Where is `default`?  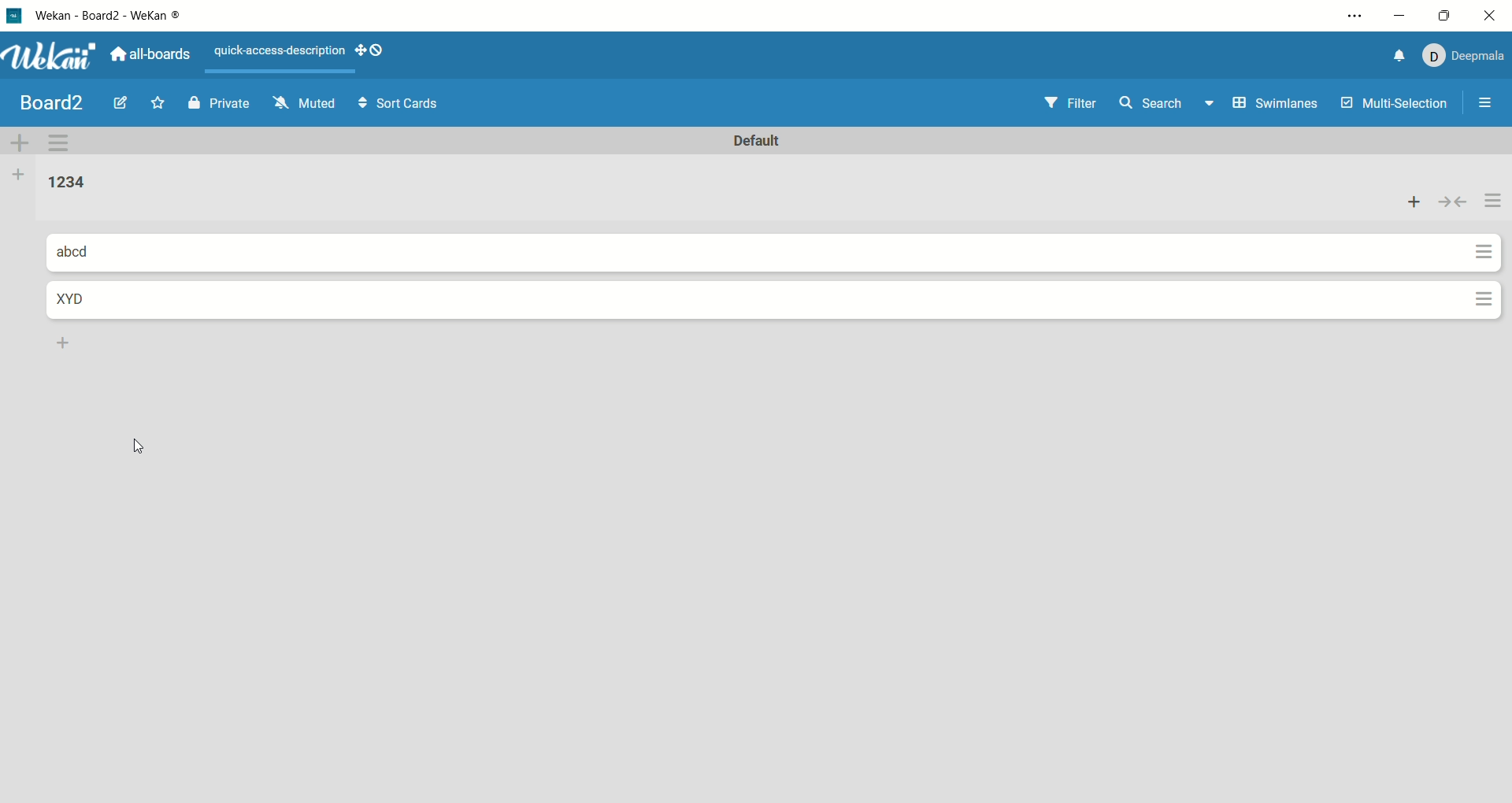
default is located at coordinates (755, 139).